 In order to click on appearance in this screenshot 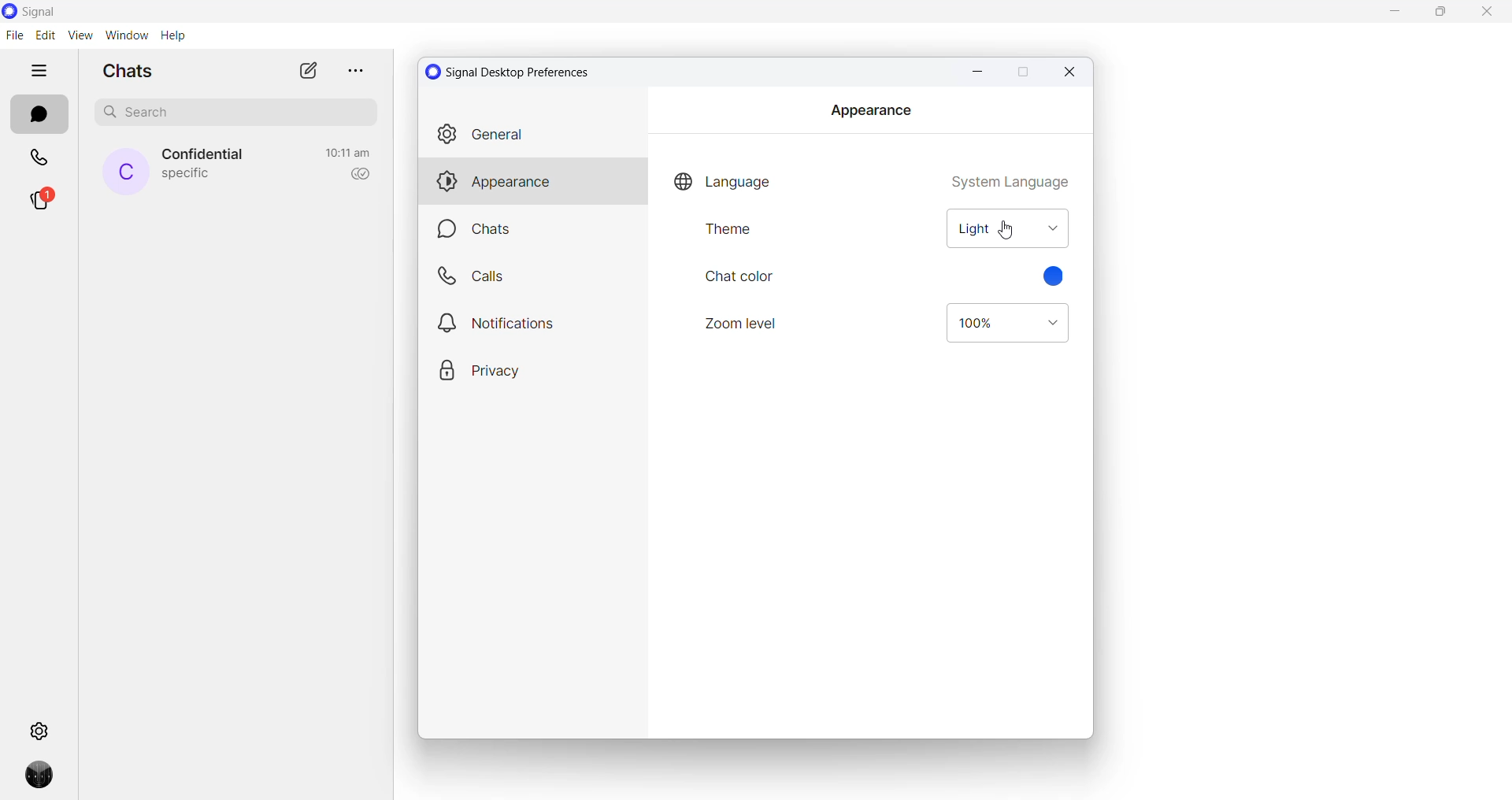, I will do `click(532, 183)`.